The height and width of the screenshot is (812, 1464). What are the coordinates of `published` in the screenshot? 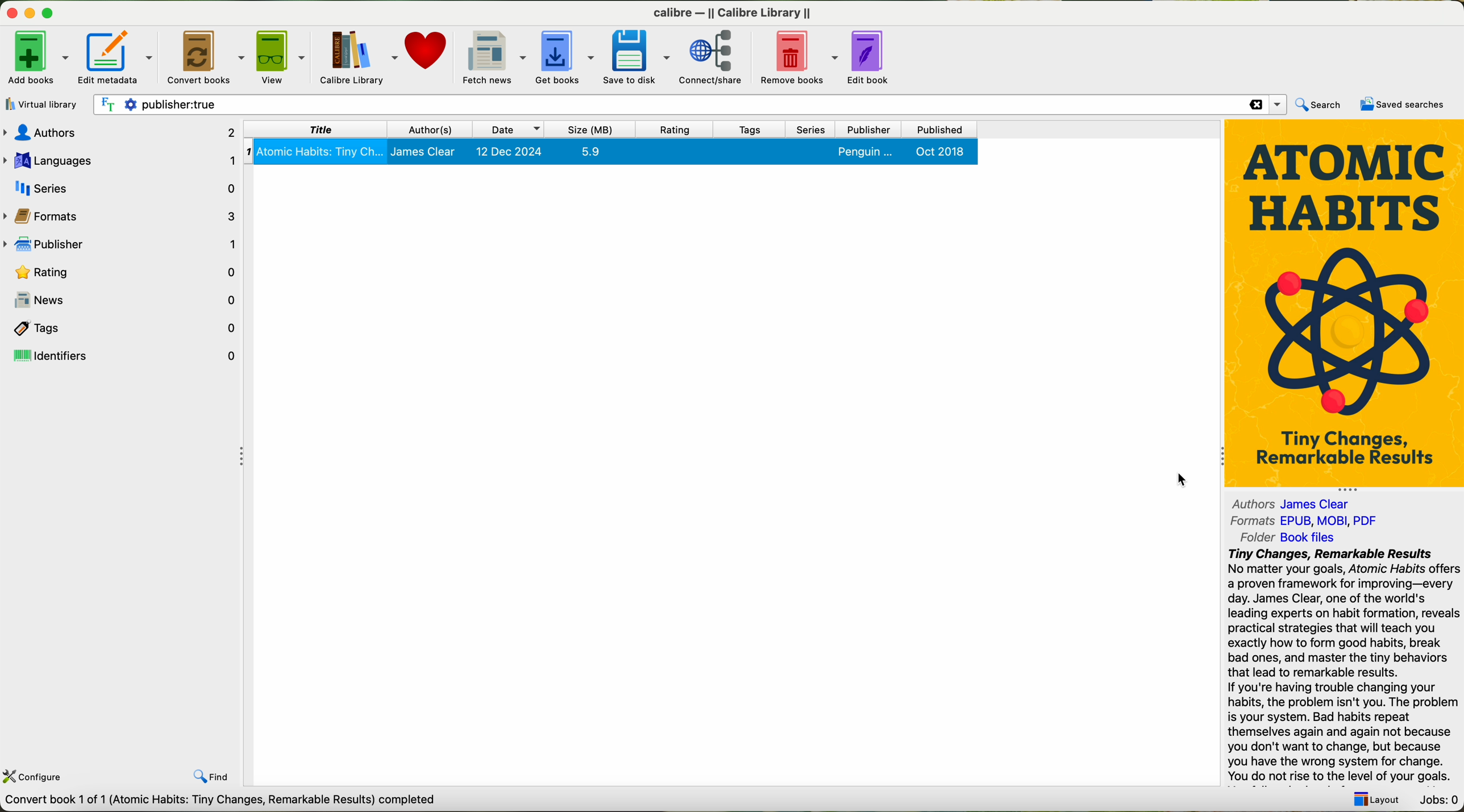 It's located at (941, 130).